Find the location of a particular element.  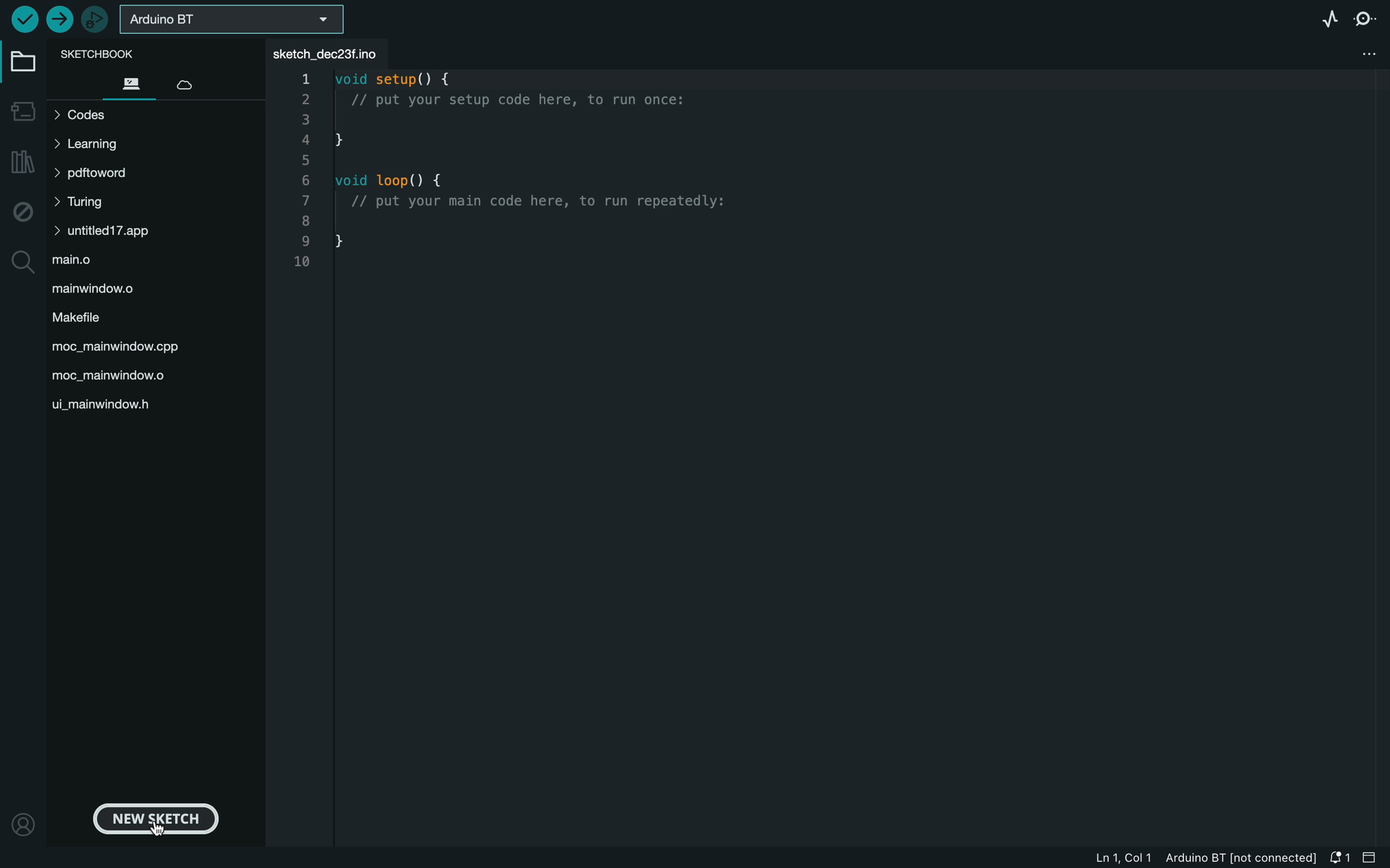

library manager is located at coordinates (22, 163).